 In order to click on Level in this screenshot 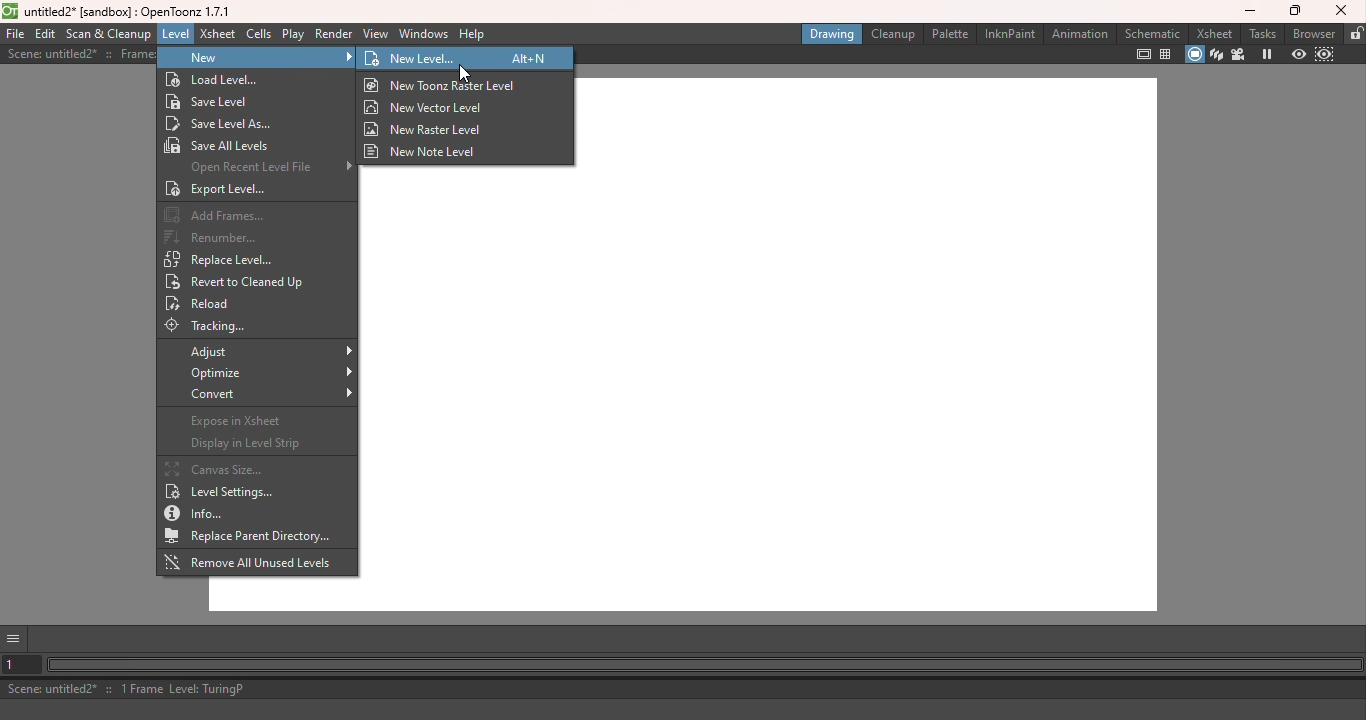, I will do `click(174, 34)`.